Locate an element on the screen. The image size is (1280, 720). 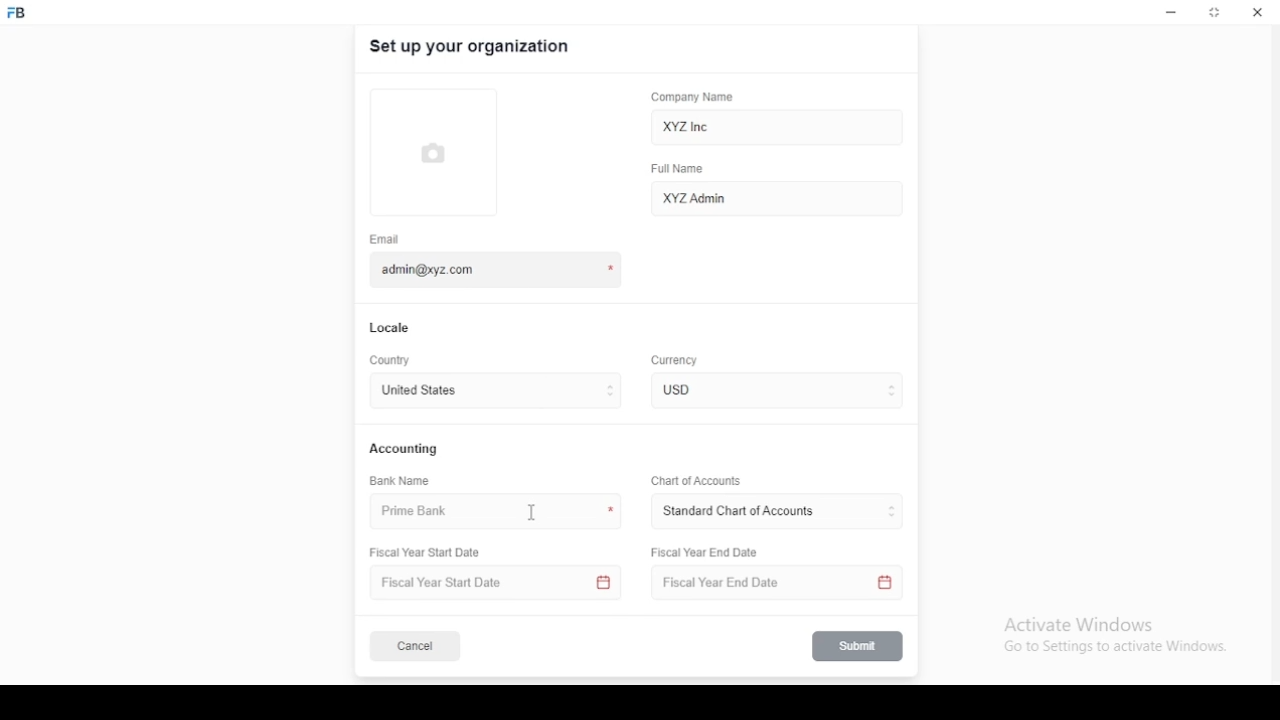
locale is located at coordinates (391, 328).